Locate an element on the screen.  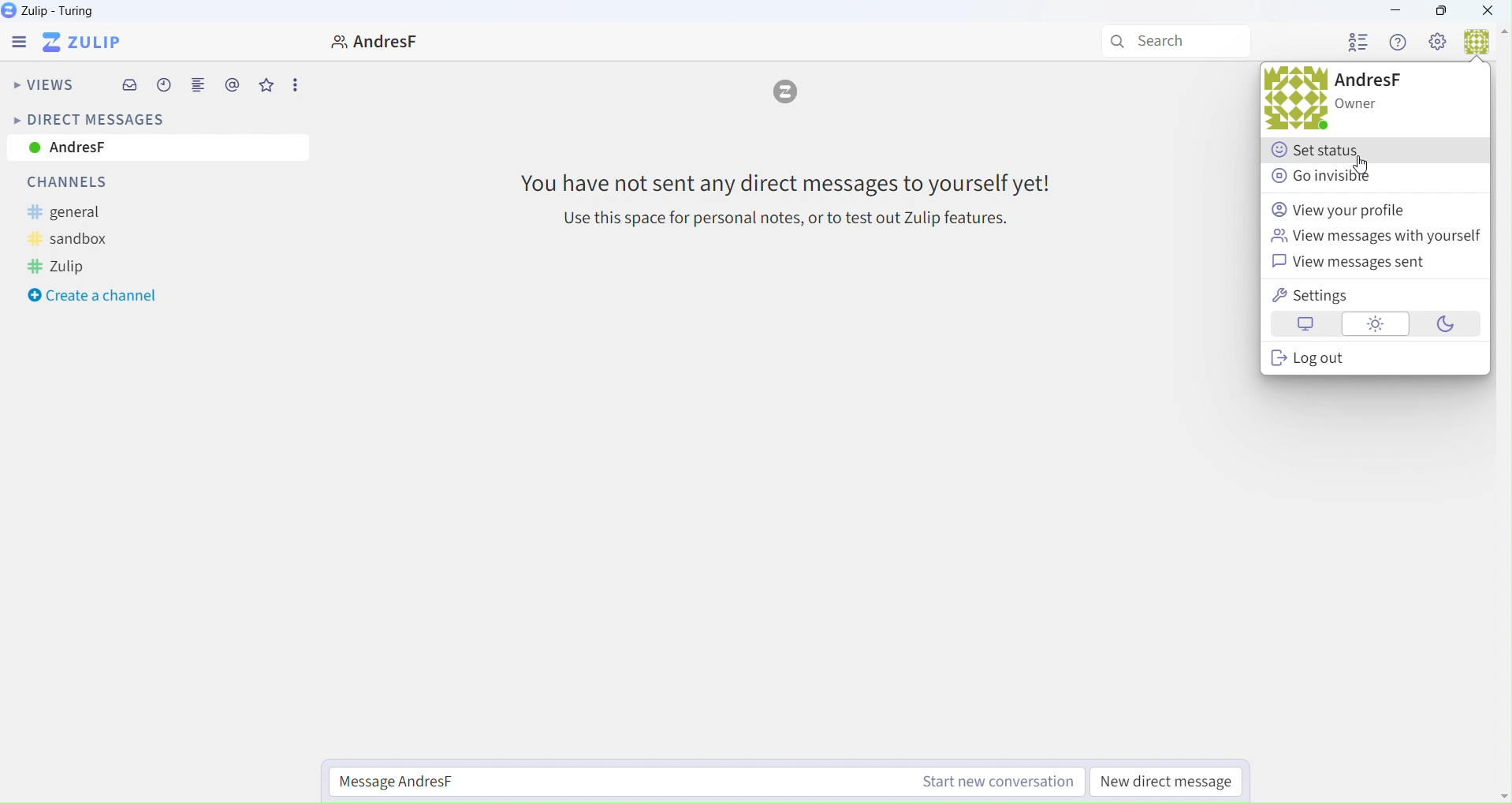
View messages with yoursefl is located at coordinates (1375, 236).